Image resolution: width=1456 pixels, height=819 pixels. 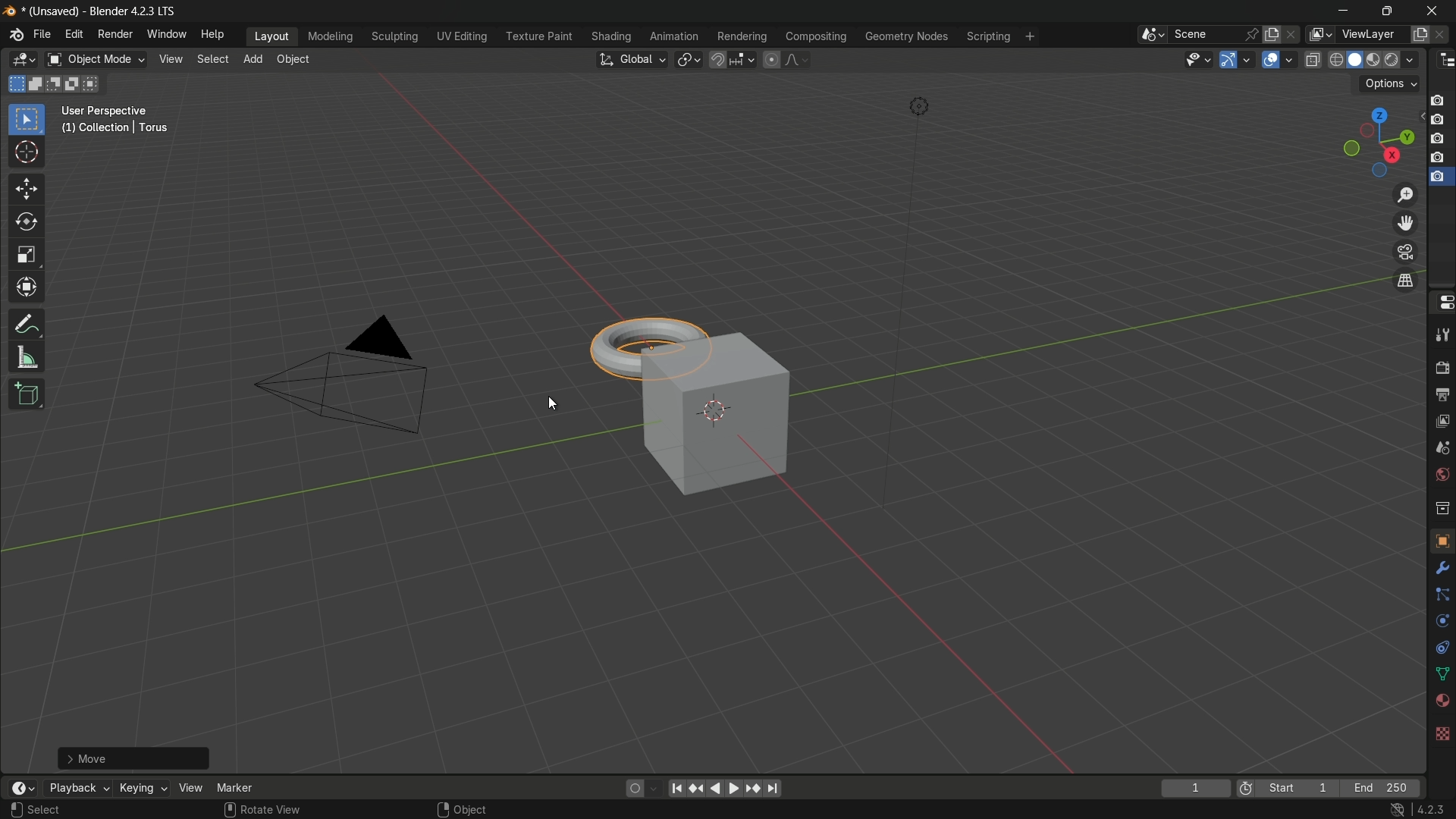 I want to click on auto keyframe, so click(x=653, y=789).